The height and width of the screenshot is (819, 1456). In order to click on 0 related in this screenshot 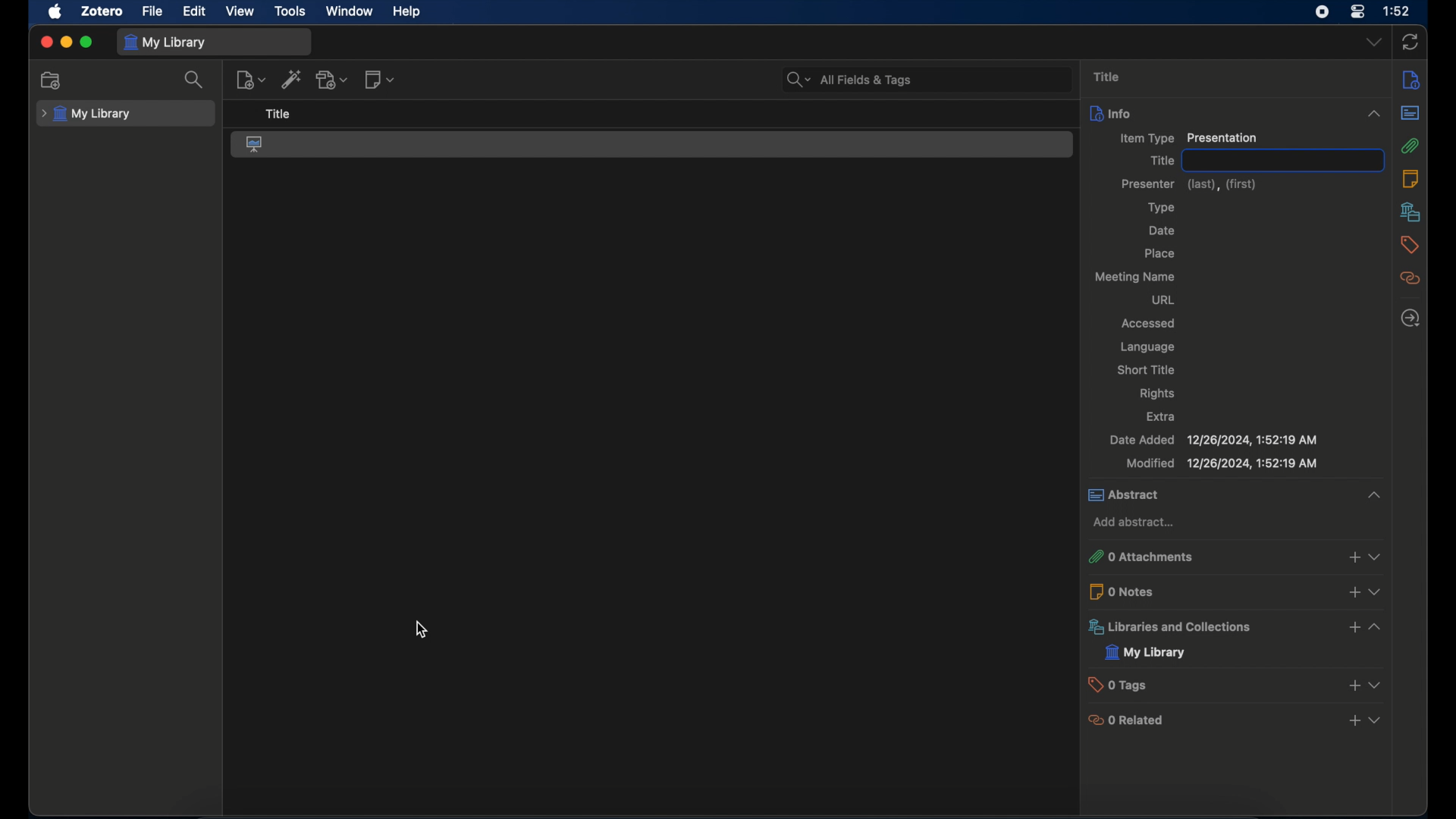, I will do `click(1235, 719)`.